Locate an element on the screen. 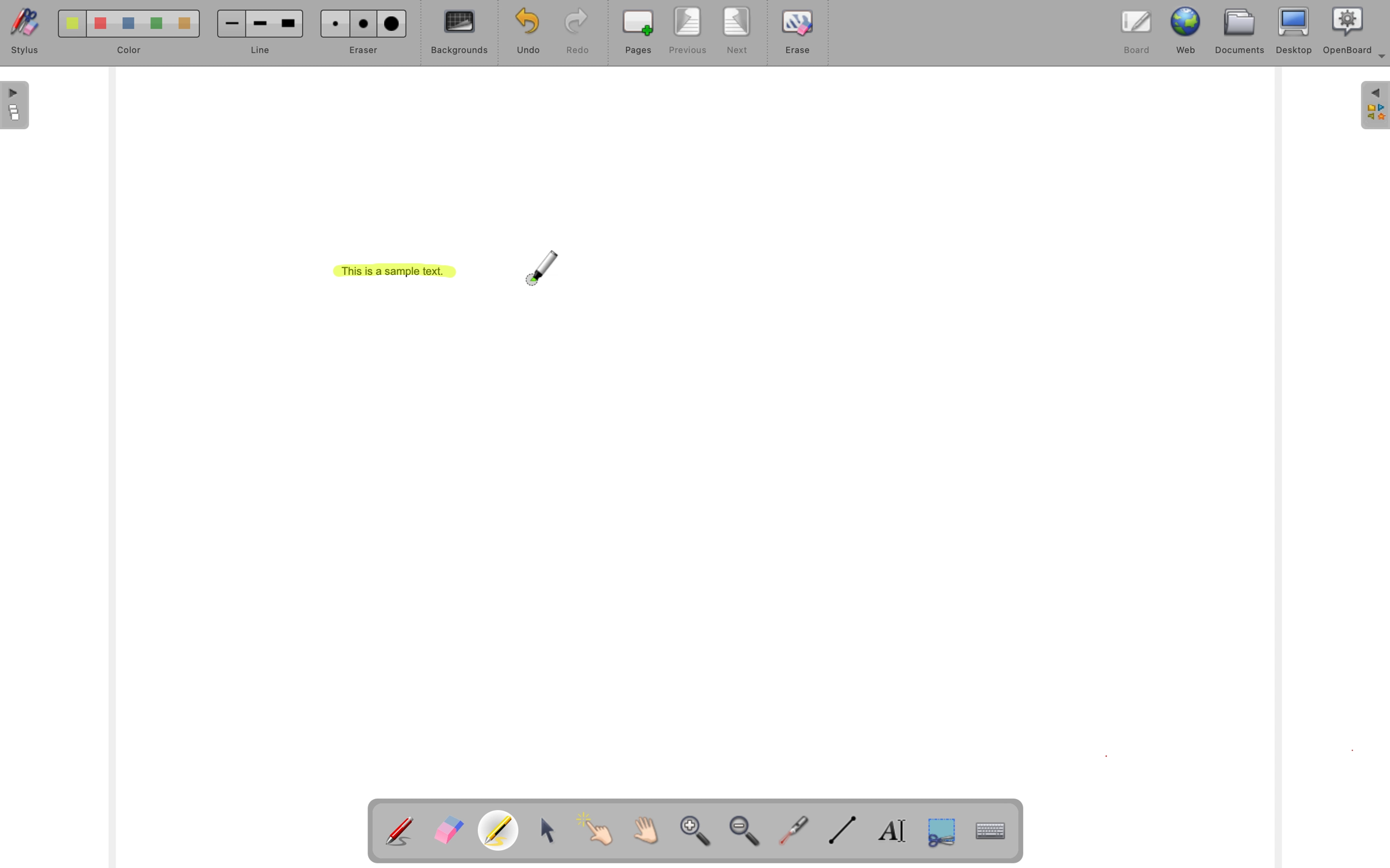 This screenshot has height=868, width=1390. The library (right panel) is located at coordinates (1375, 106).